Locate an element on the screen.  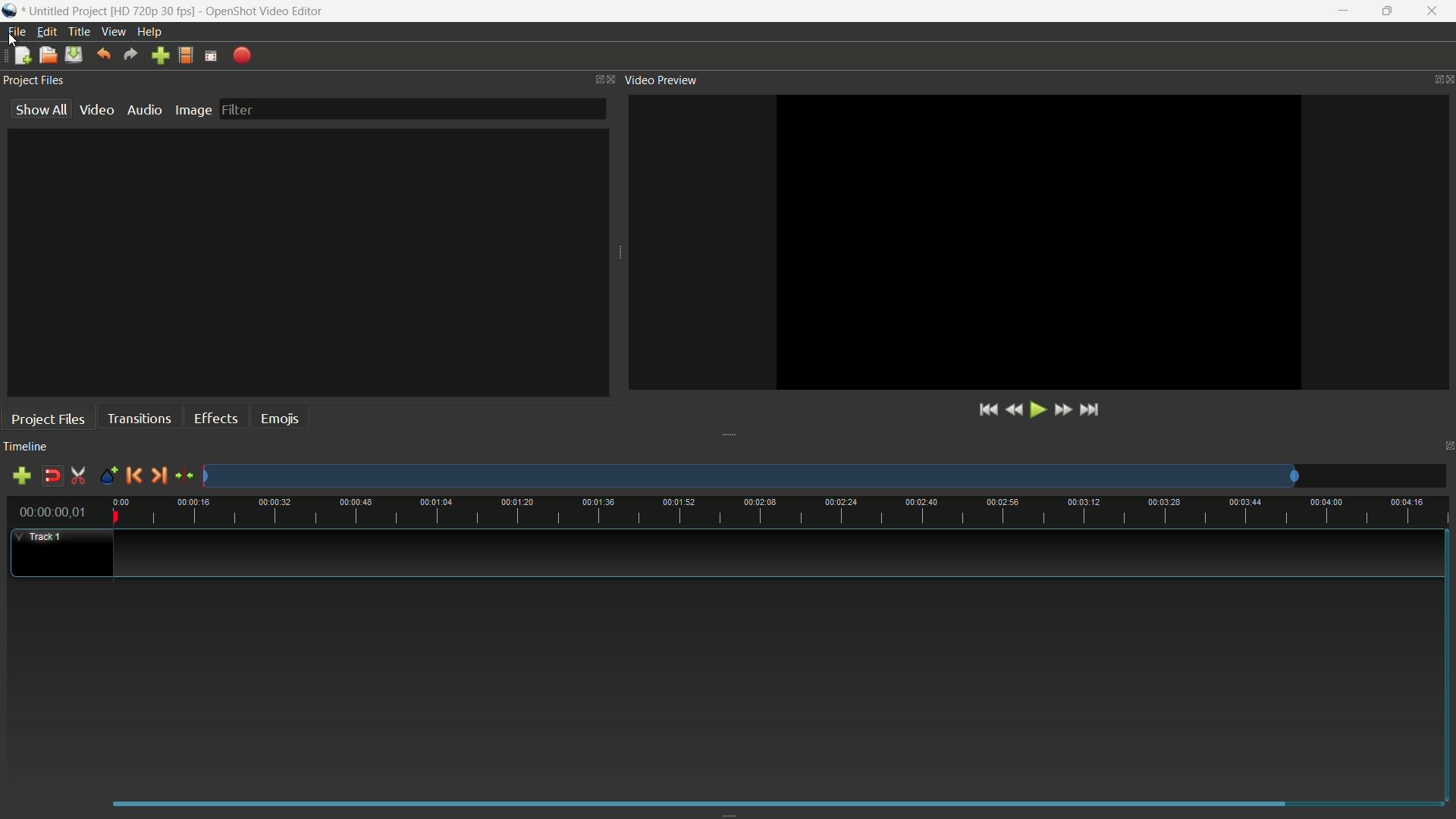
new file is located at coordinates (22, 54).